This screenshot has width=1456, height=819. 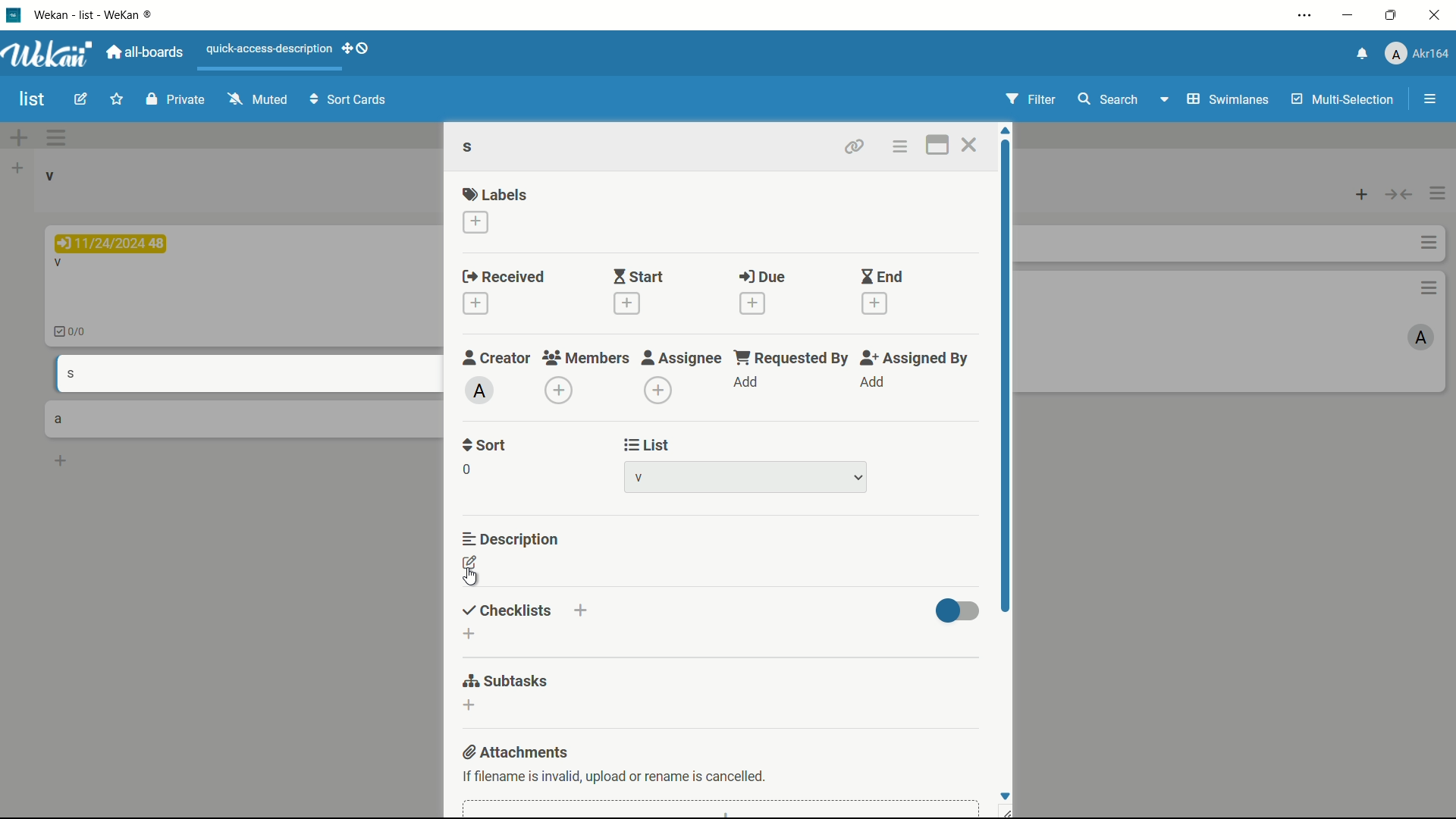 What do you see at coordinates (466, 469) in the screenshot?
I see `sort number` at bounding box center [466, 469].